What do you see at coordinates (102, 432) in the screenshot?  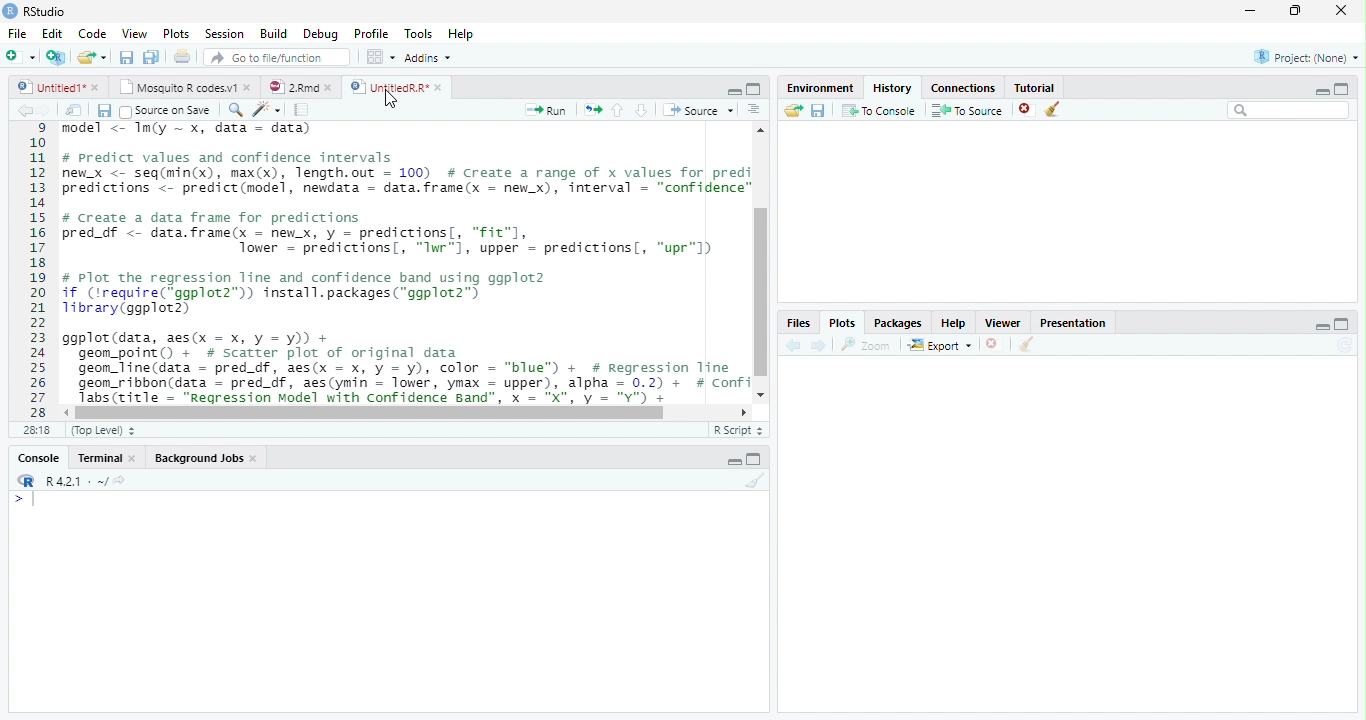 I see `Top level` at bounding box center [102, 432].